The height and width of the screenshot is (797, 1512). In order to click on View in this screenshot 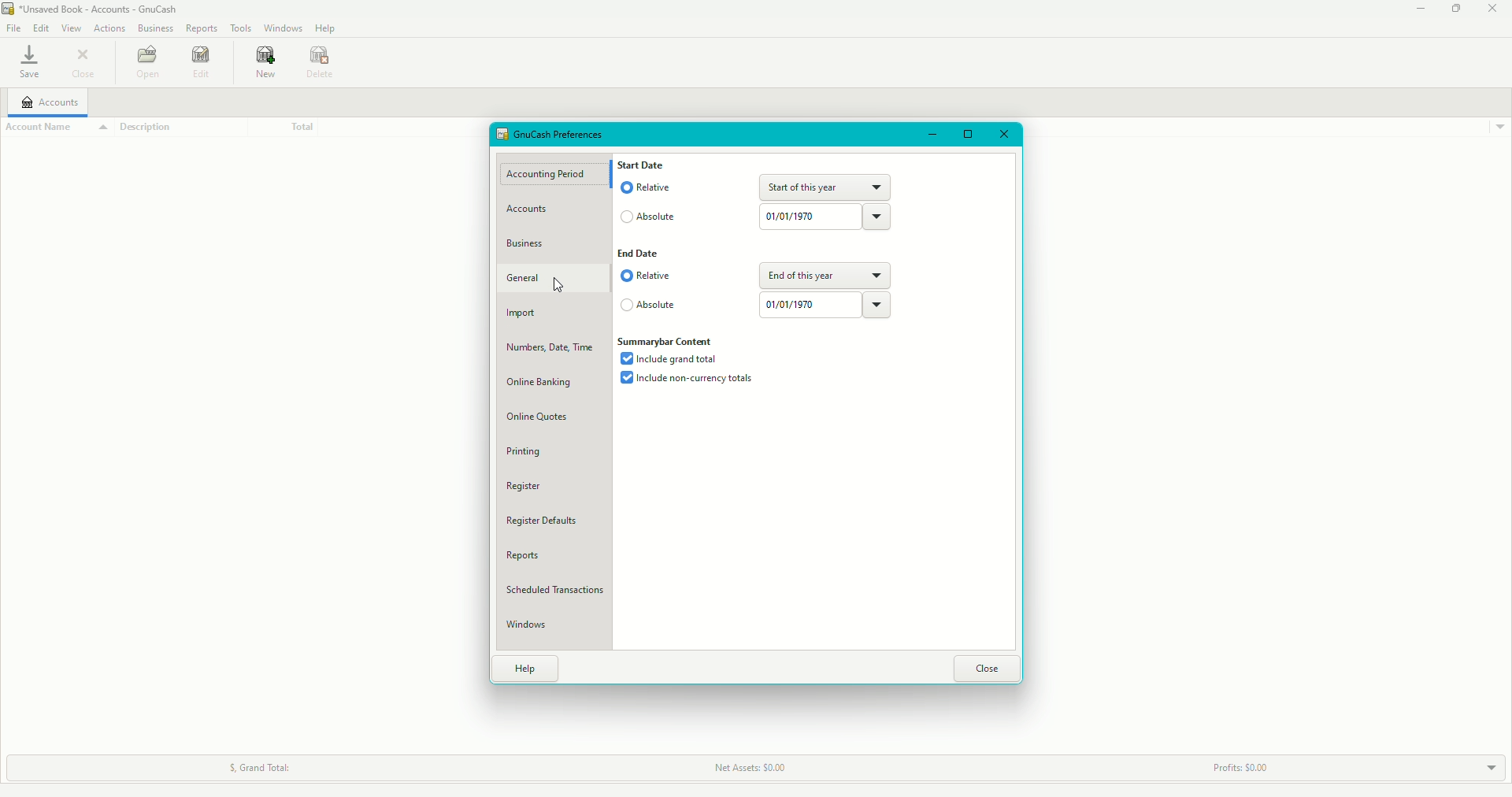, I will do `click(69, 28)`.